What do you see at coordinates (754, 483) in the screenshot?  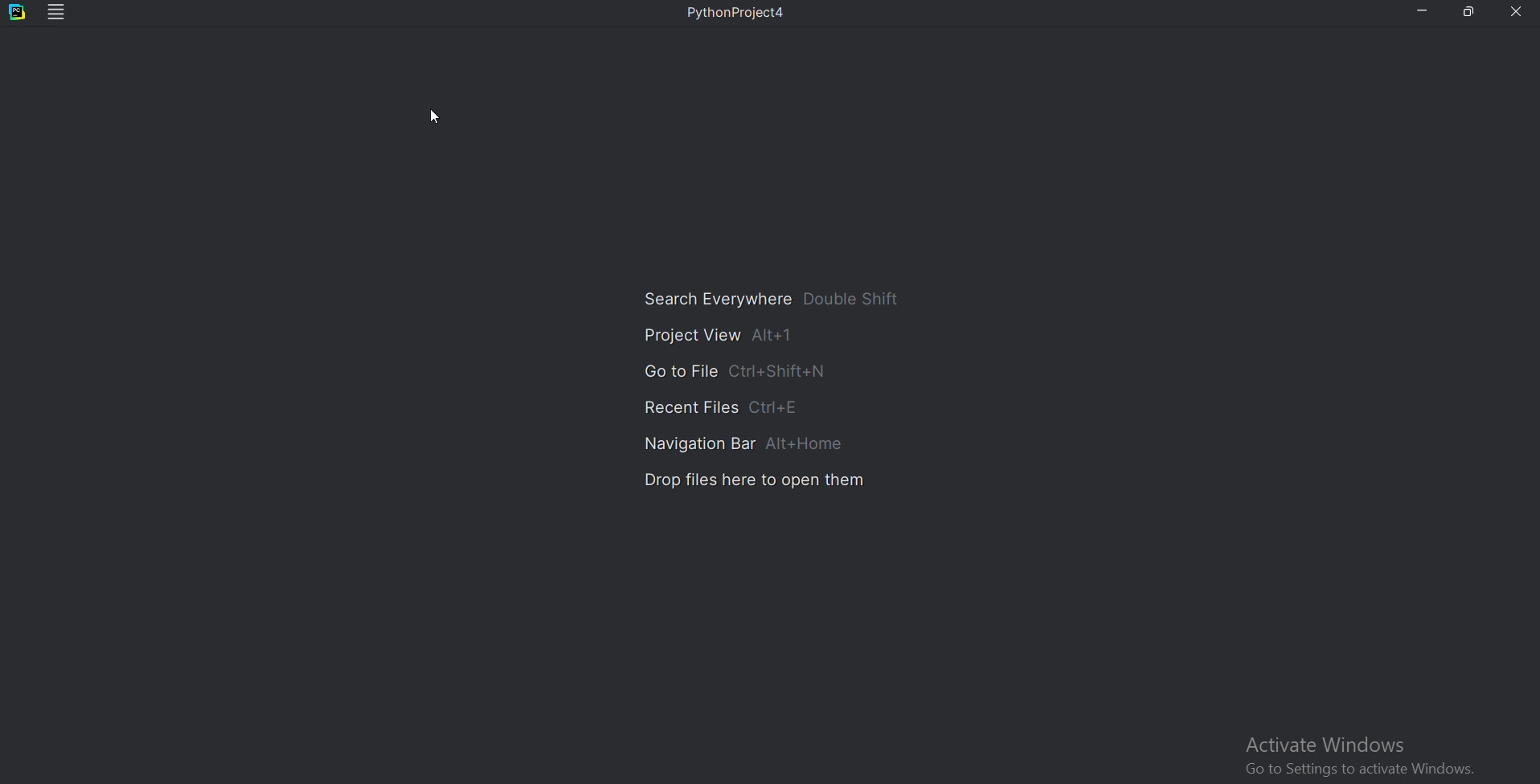 I see `Drop files here to open them` at bounding box center [754, 483].